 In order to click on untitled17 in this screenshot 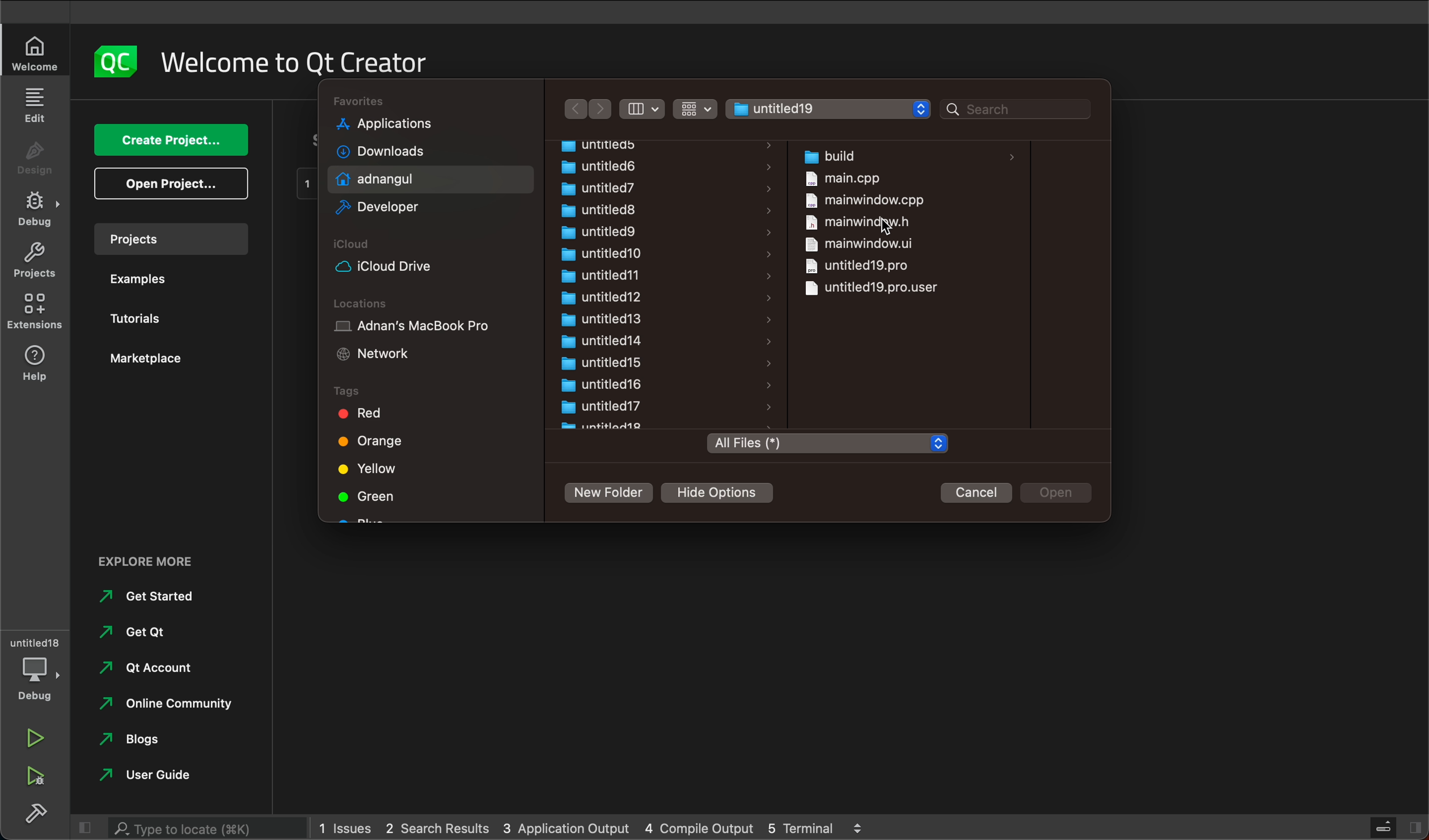, I will do `click(608, 406)`.